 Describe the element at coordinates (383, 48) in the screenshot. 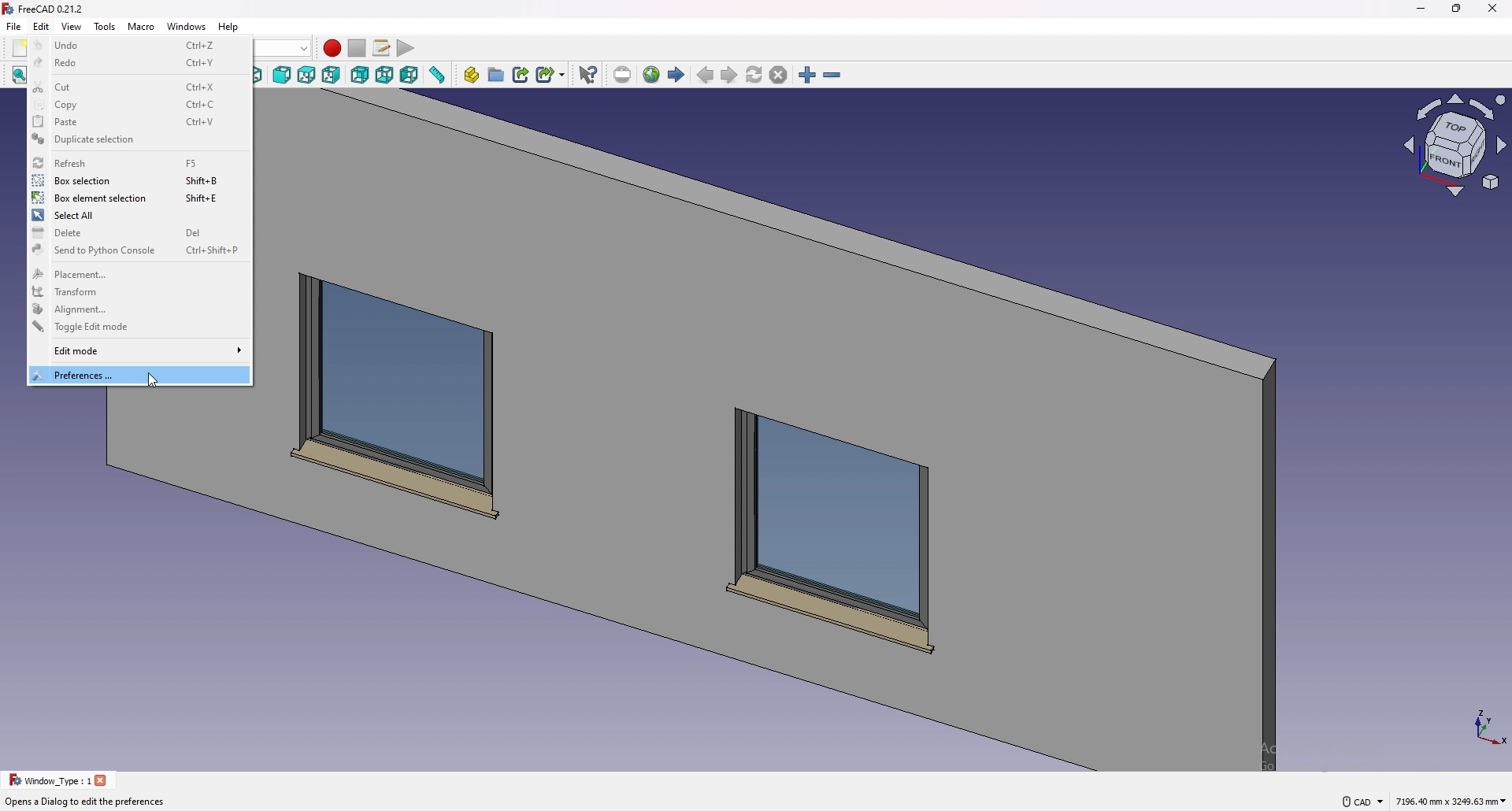

I see `macros` at that location.